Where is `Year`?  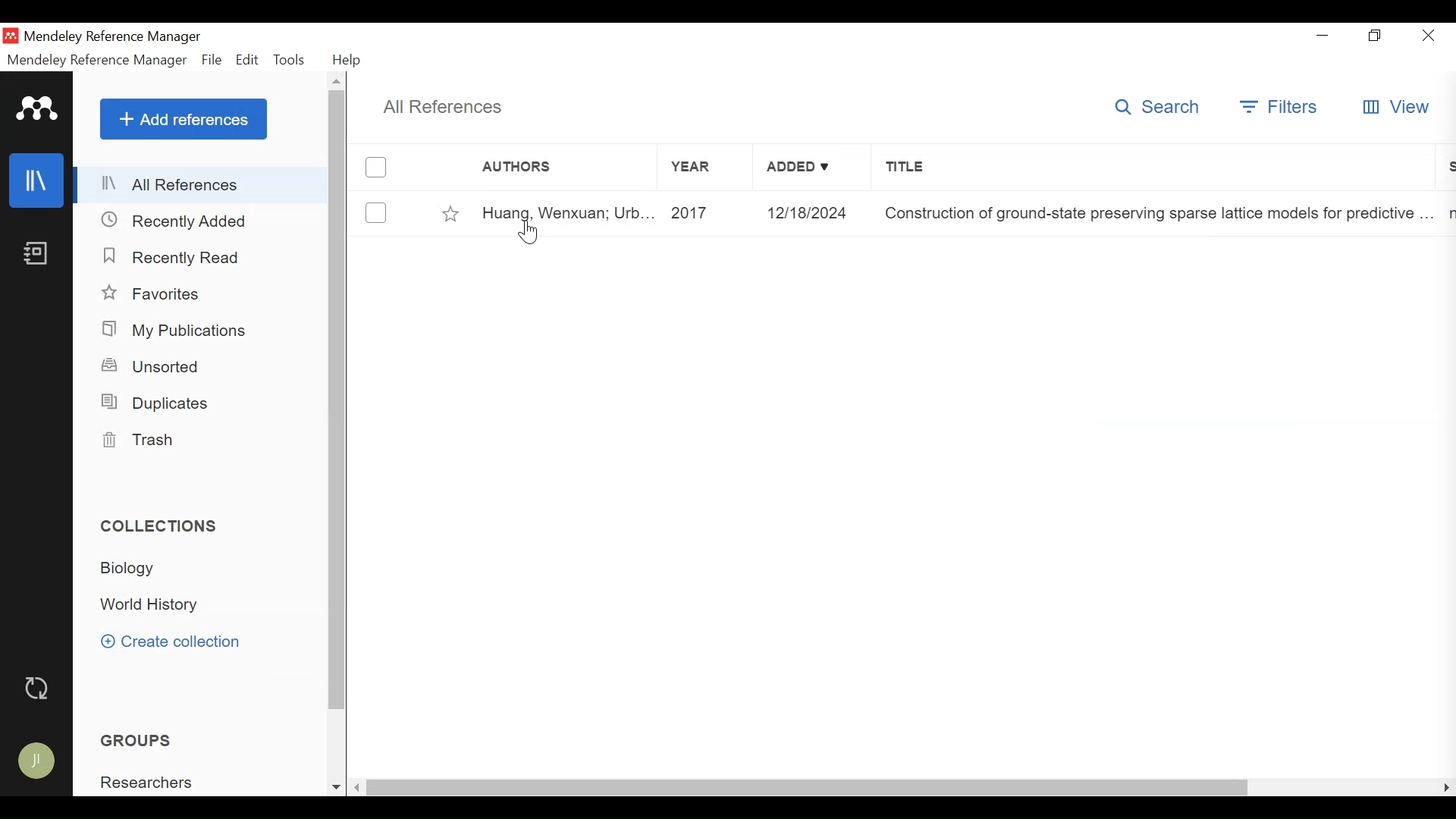 Year is located at coordinates (709, 212).